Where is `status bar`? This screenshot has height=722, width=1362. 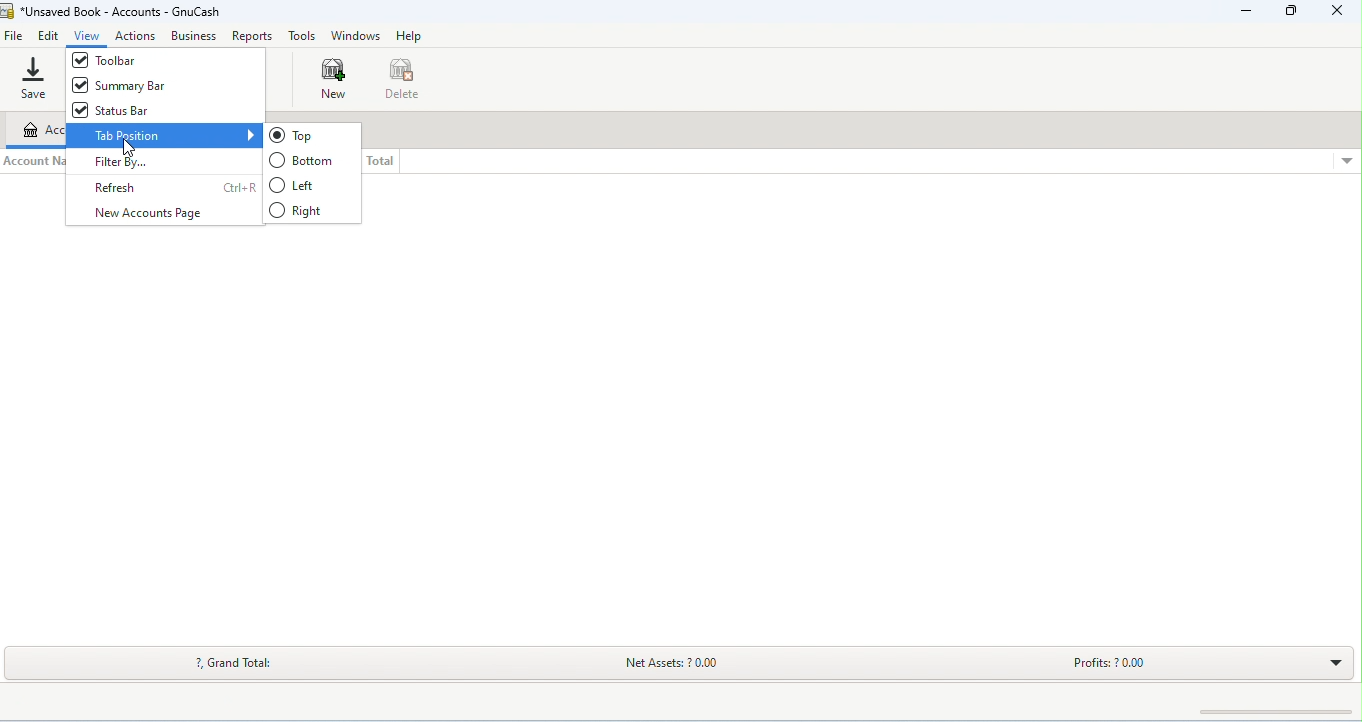 status bar is located at coordinates (147, 110).